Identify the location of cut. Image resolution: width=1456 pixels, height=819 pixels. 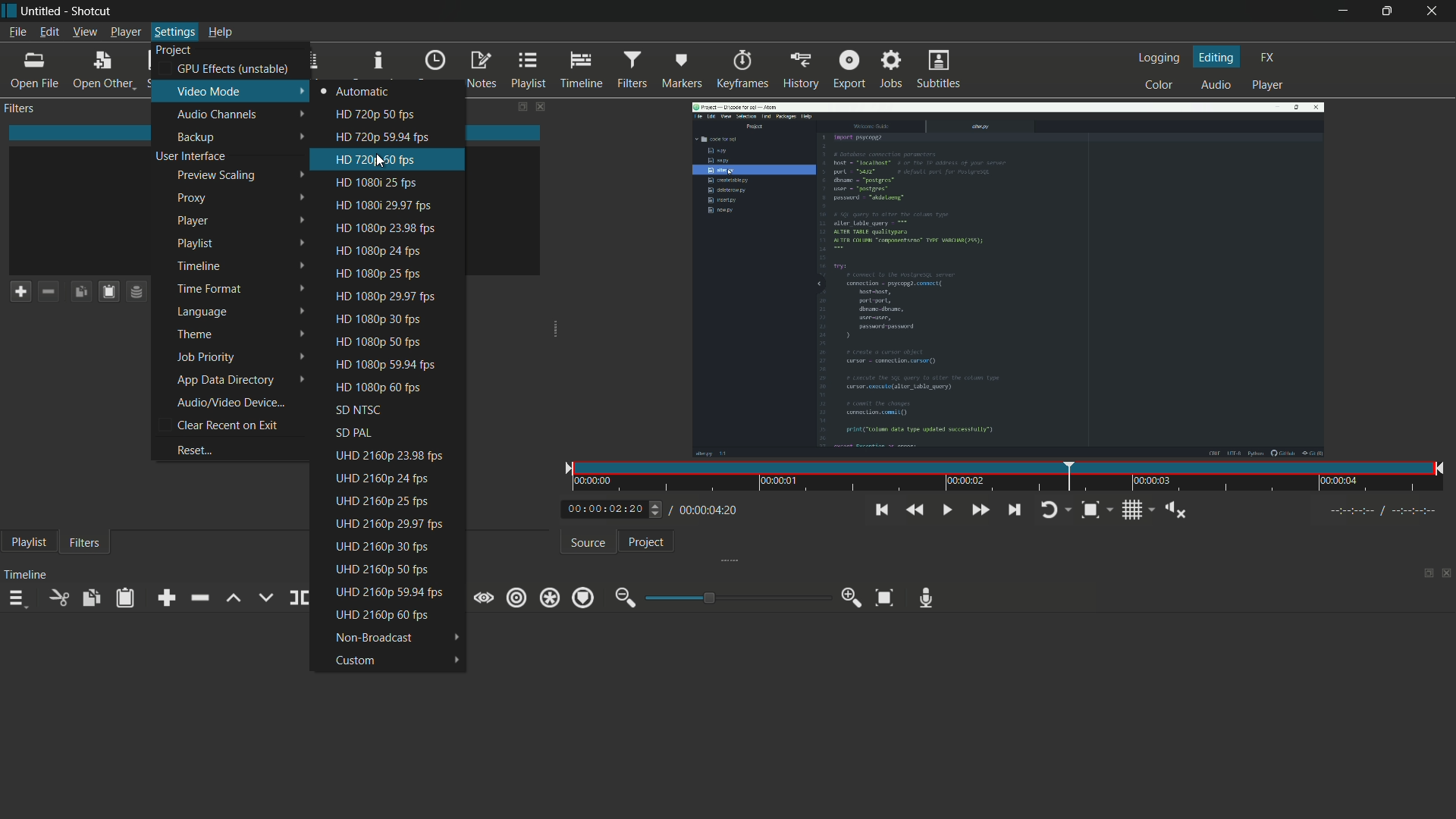
(58, 598).